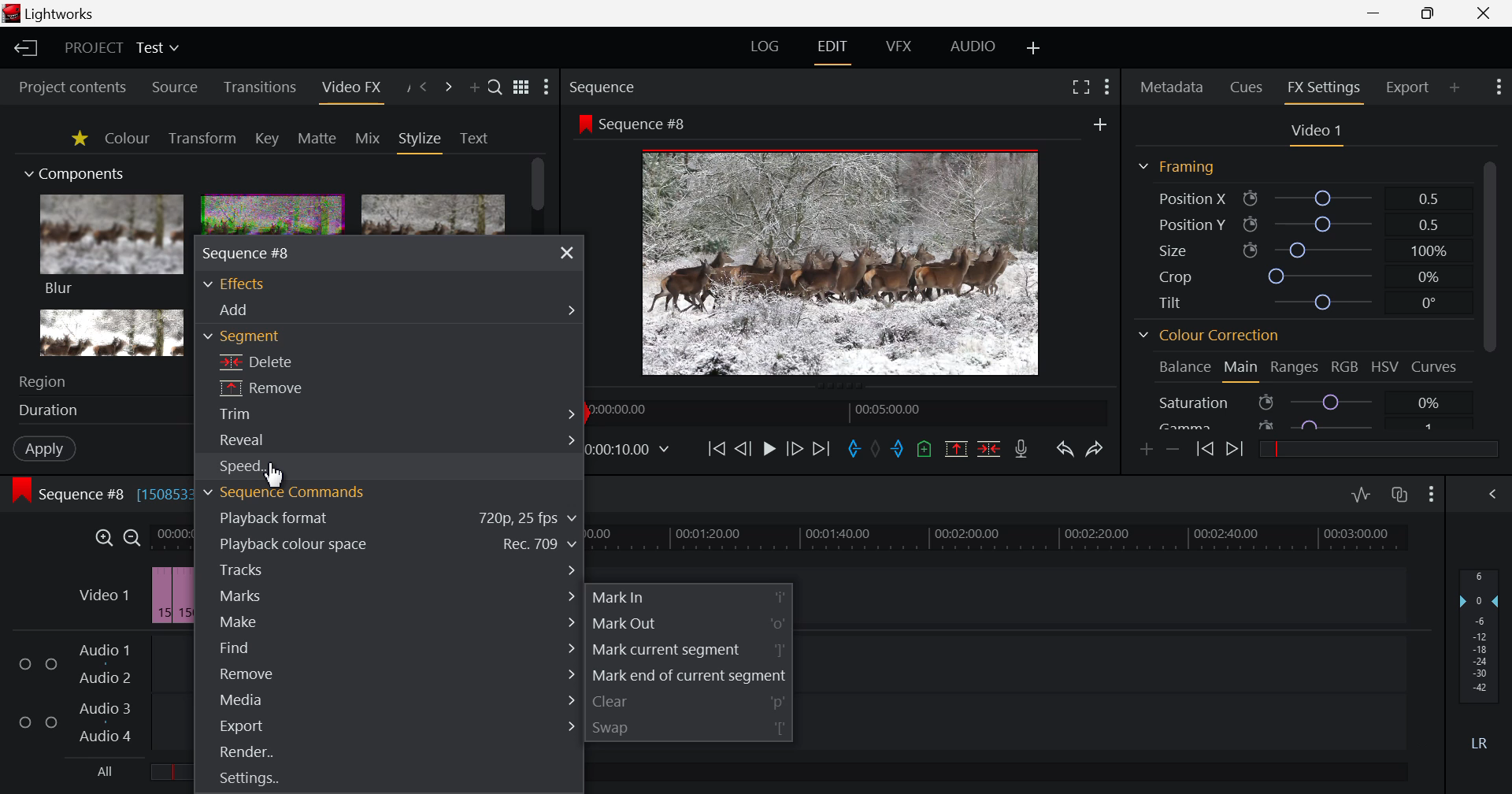 The width and height of the screenshot is (1512, 794). Describe the element at coordinates (855, 449) in the screenshot. I see `Mark In` at that location.